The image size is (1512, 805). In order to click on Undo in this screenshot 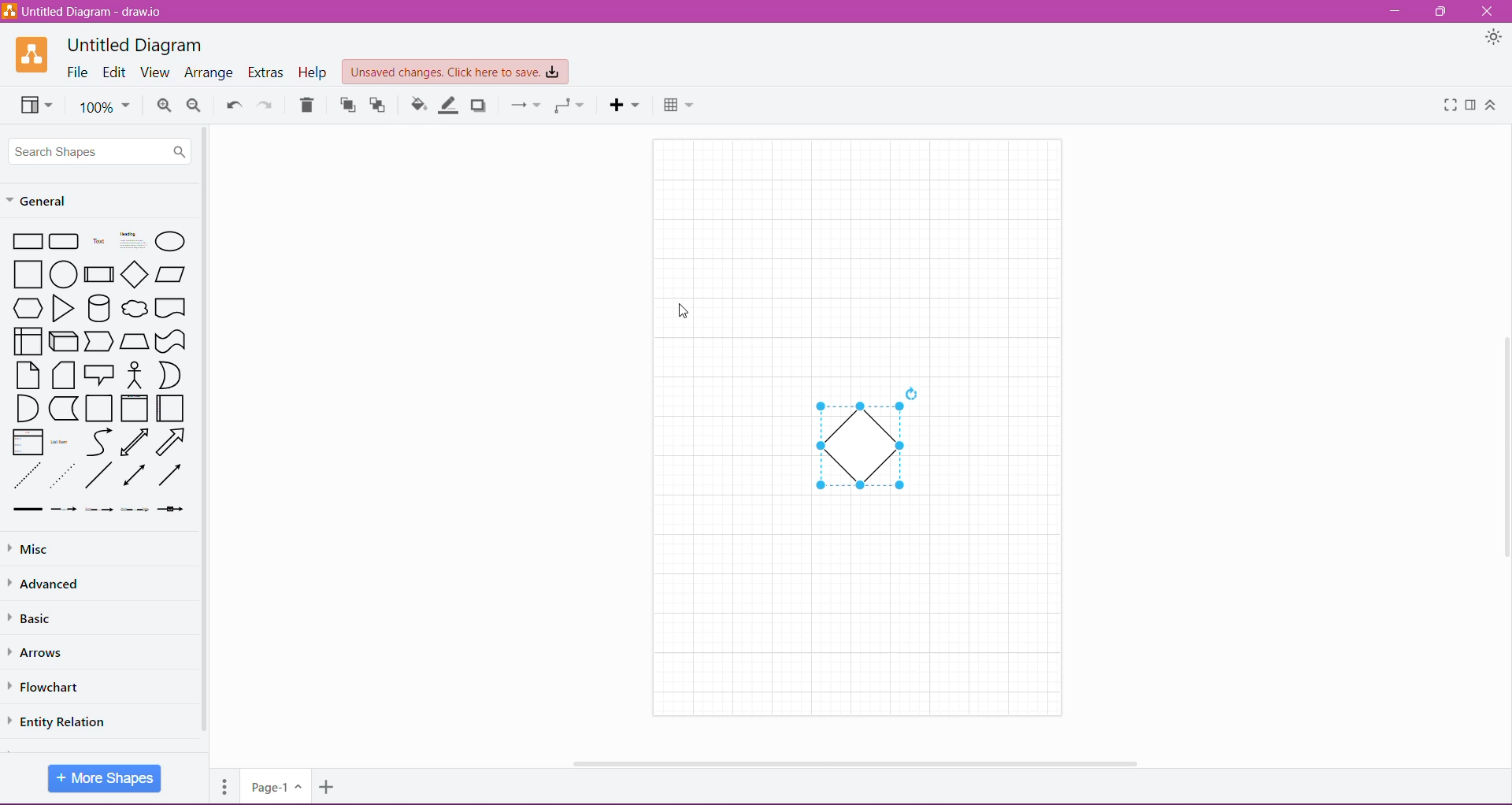, I will do `click(234, 105)`.